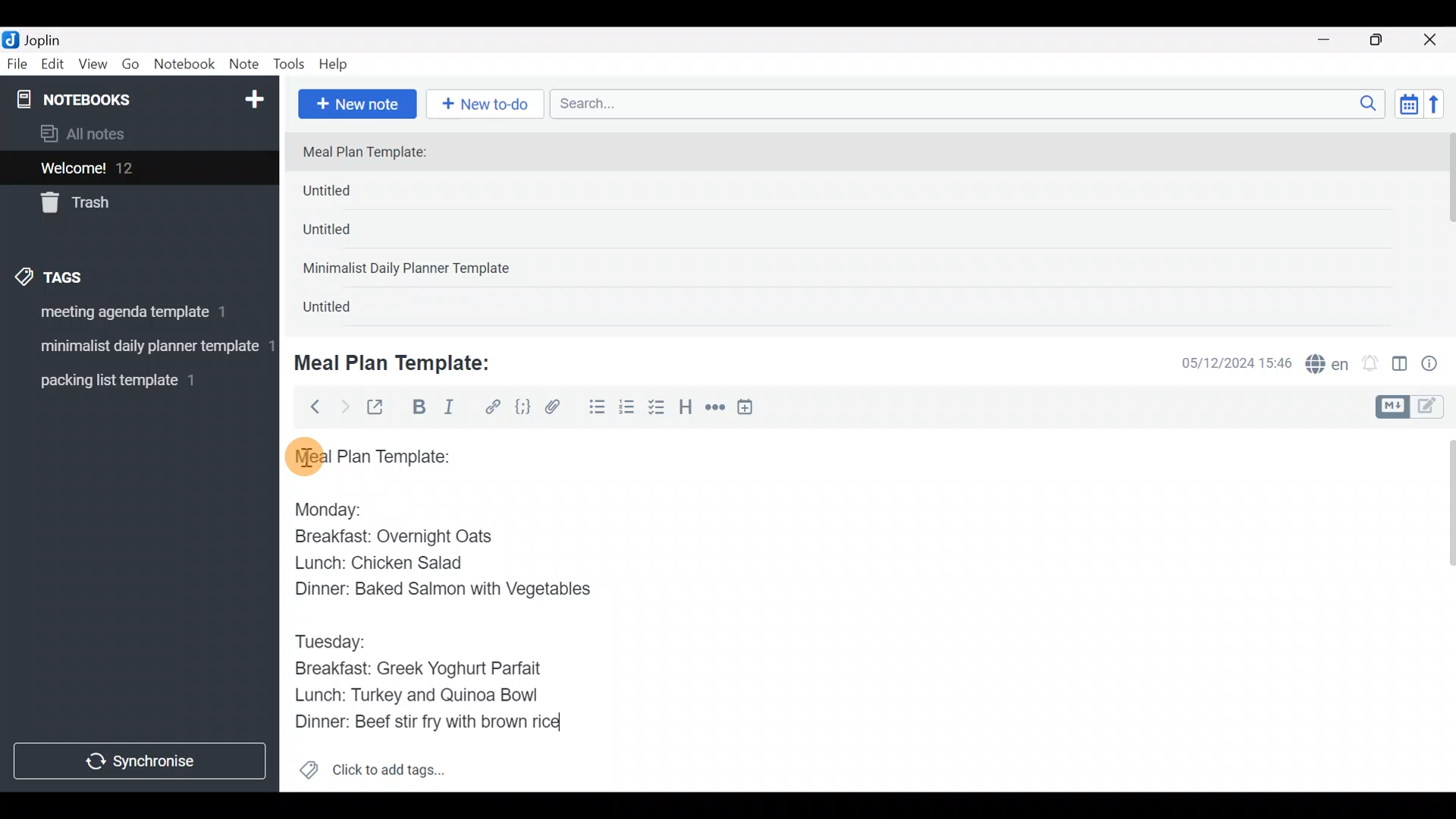 This screenshot has height=819, width=1456. What do you see at coordinates (1436, 365) in the screenshot?
I see `Note properties` at bounding box center [1436, 365].